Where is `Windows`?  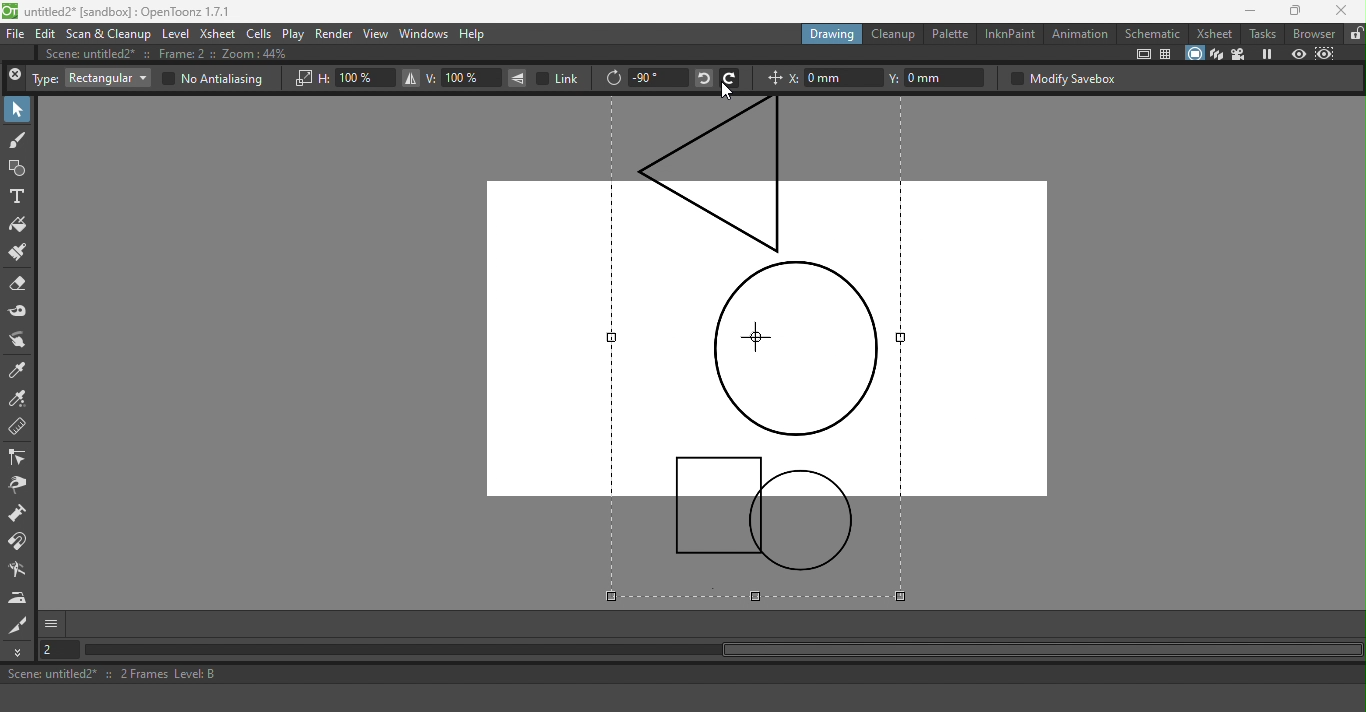
Windows is located at coordinates (423, 35).